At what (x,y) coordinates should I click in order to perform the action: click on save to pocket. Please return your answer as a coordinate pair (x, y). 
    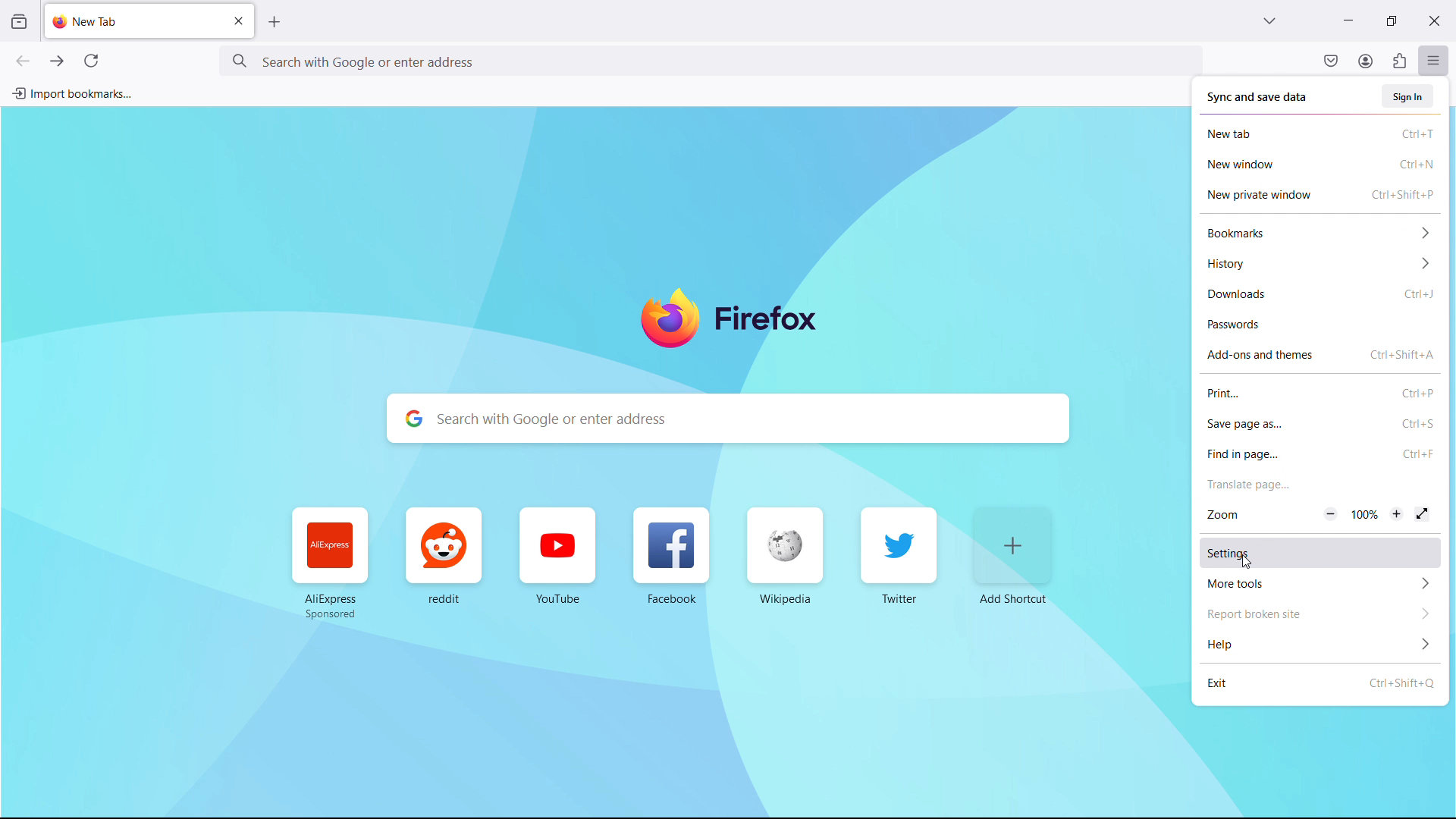
    Looking at the image, I should click on (1331, 60).